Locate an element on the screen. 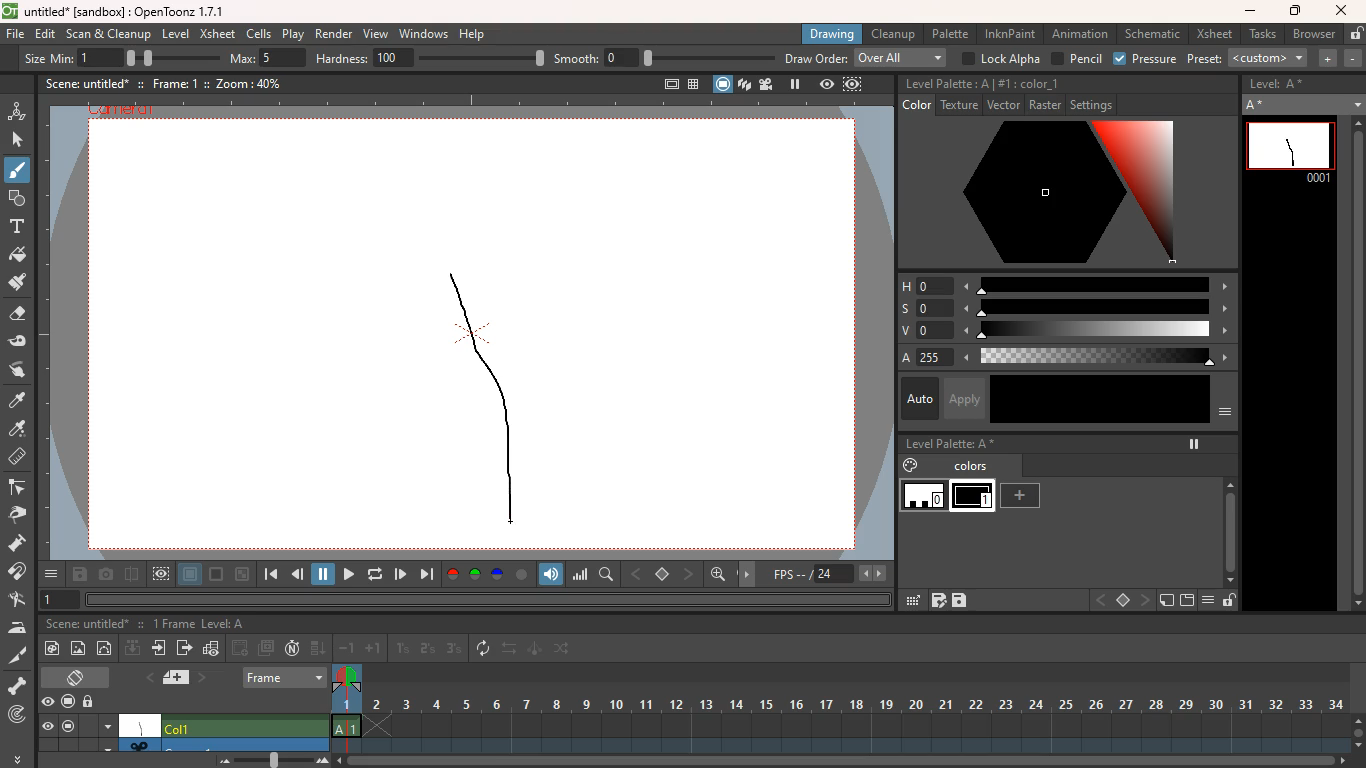  Level: A* is located at coordinates (1280, 85).